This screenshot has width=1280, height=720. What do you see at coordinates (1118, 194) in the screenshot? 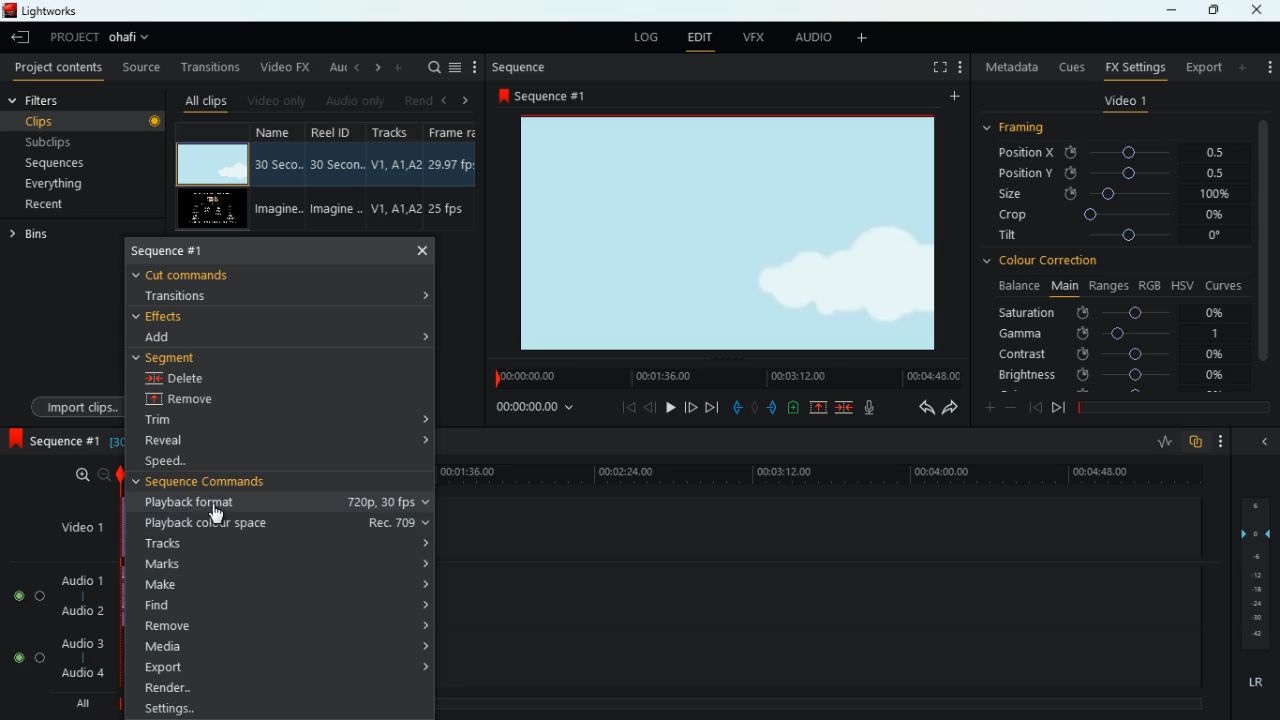
I see `size` at bounding box center [1118, 194].